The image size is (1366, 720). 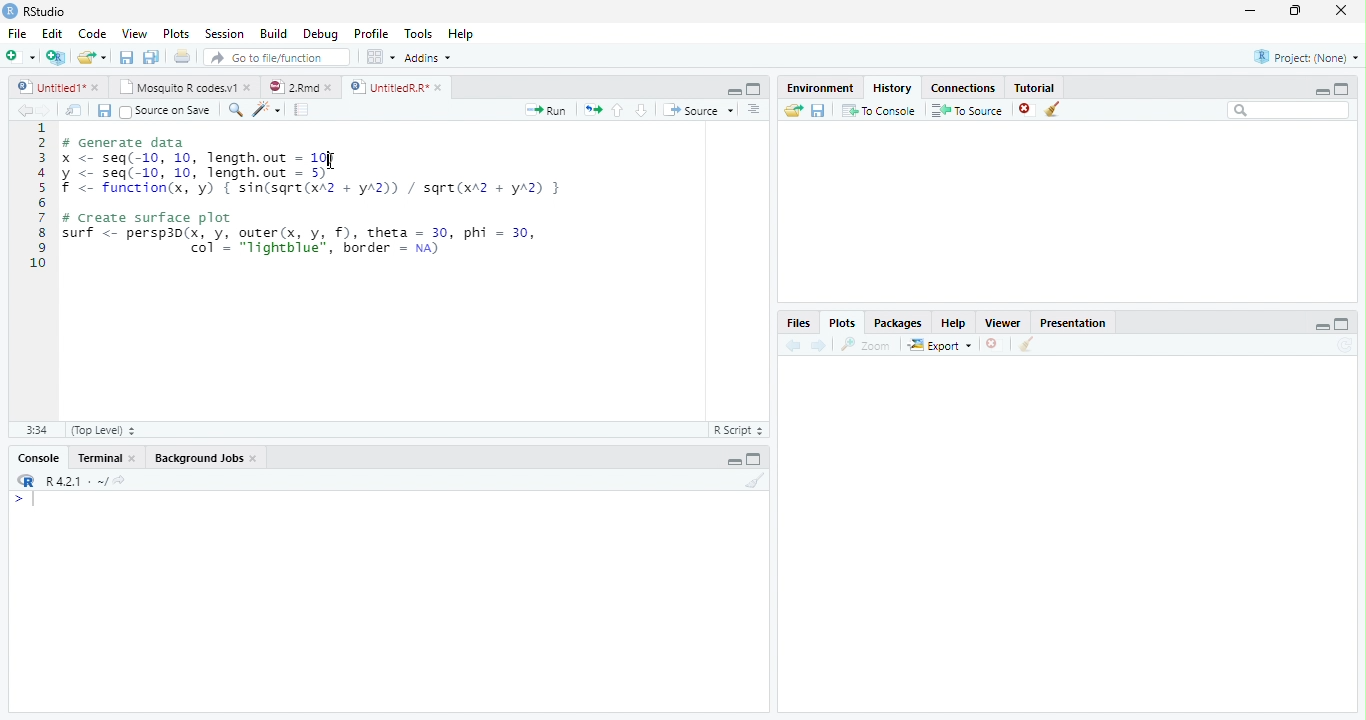 What do you see at coordinates (125, 56) in the screenshot?
I see `Save current document` at bounding box center [125, 56].